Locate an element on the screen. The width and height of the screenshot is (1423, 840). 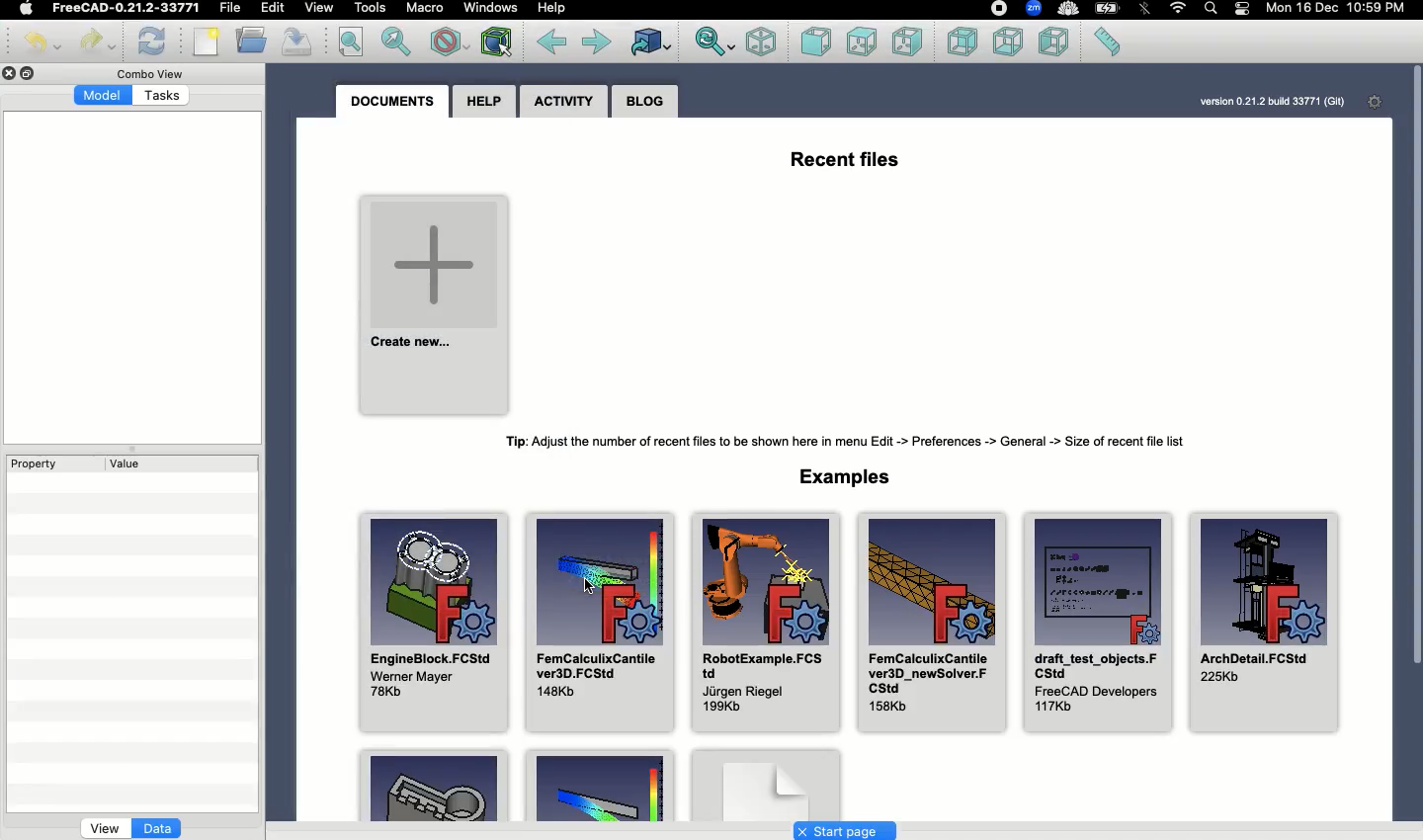
Fit selection is located at coordinates (395, 43).